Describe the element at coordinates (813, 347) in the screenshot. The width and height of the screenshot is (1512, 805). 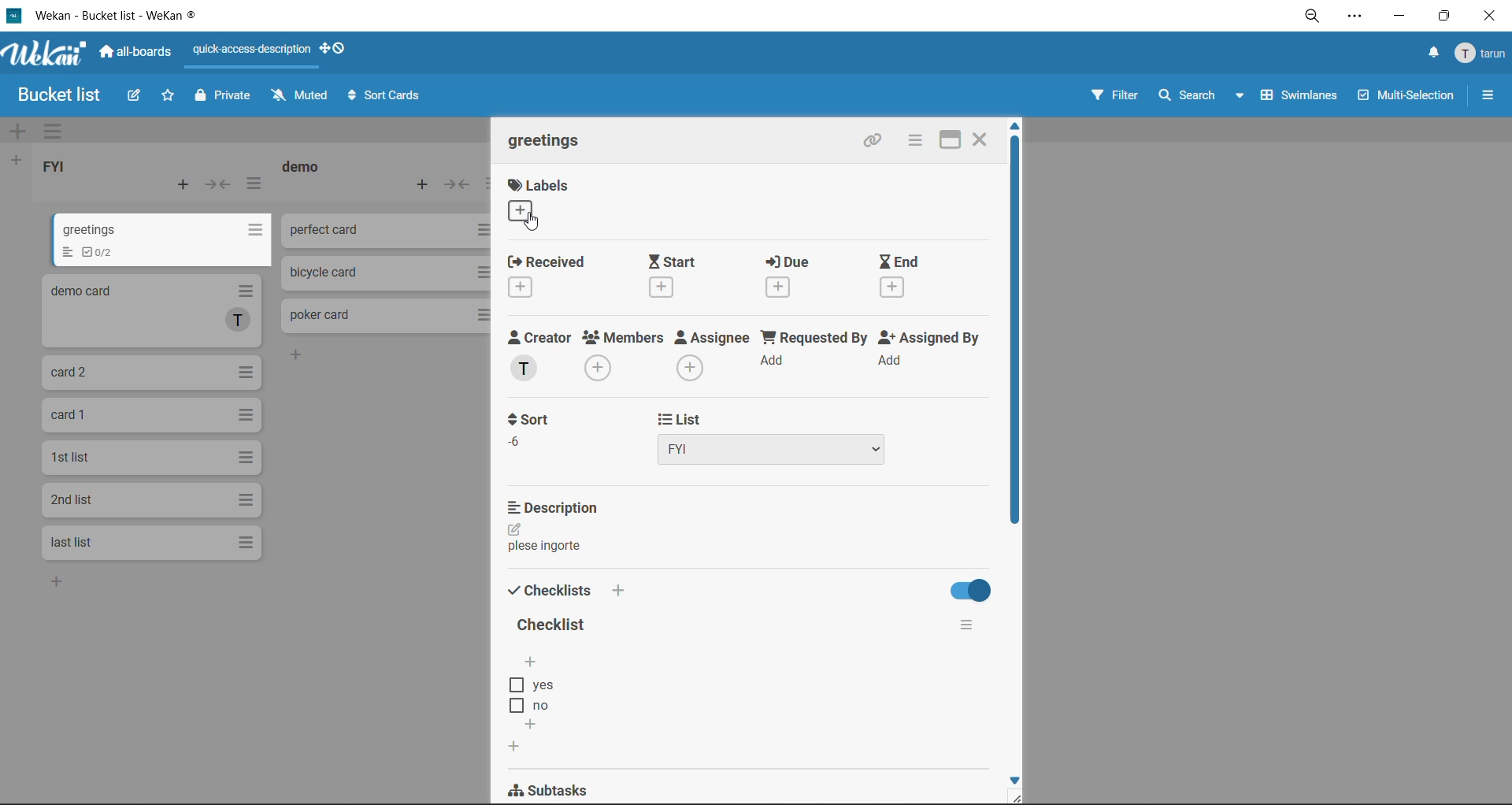
I see `requested by` at that location.